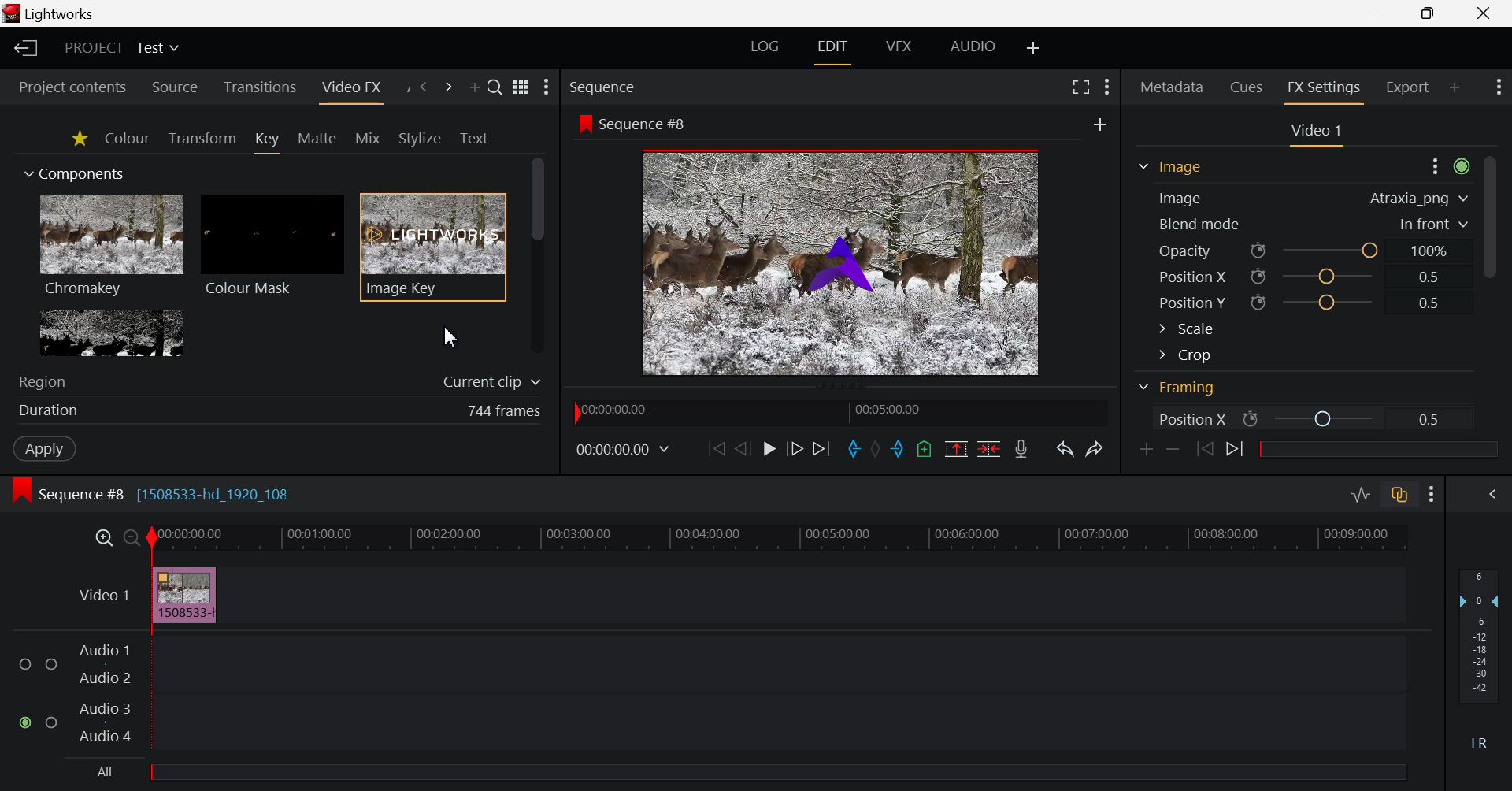  What do you see at coordinates (1243, 87) in the screenshot?
I see `Cues` at bounding box center [1243, 87].